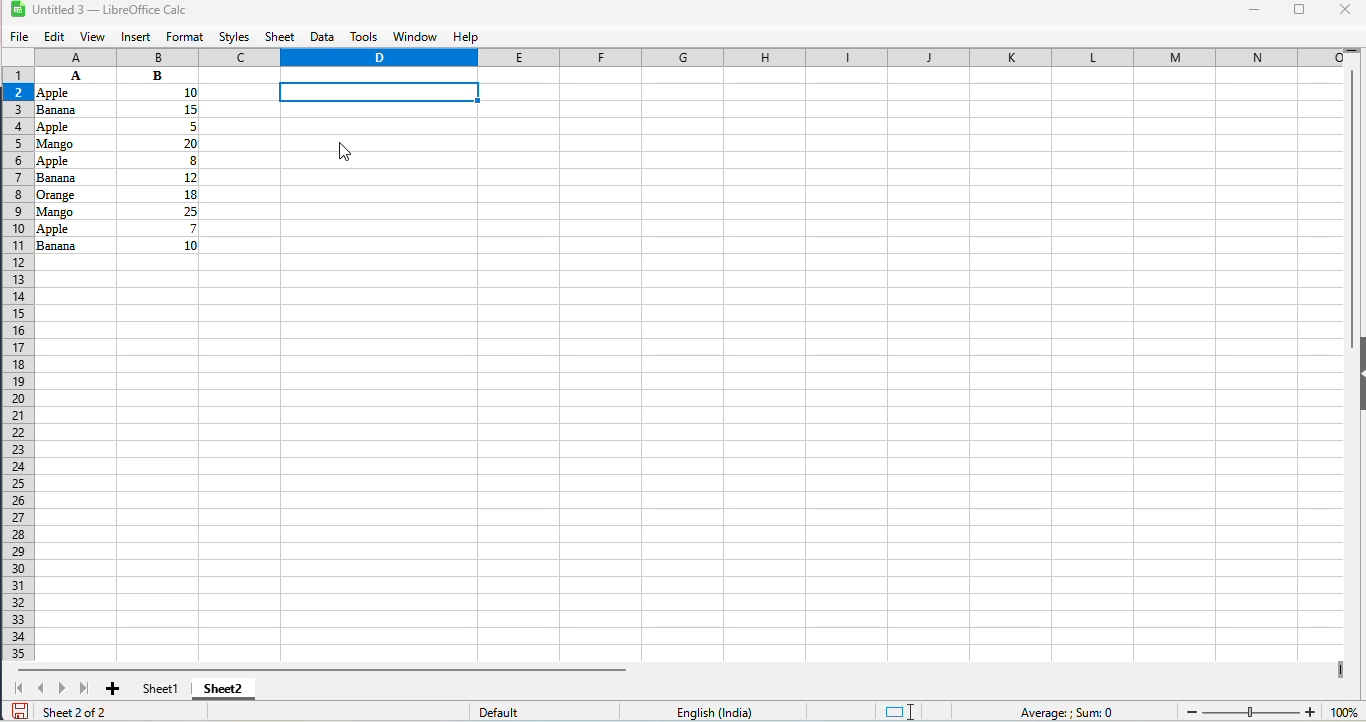  Describe the element at coordinates (900, 712) in the screenshot. I see `standard selection` at that location.